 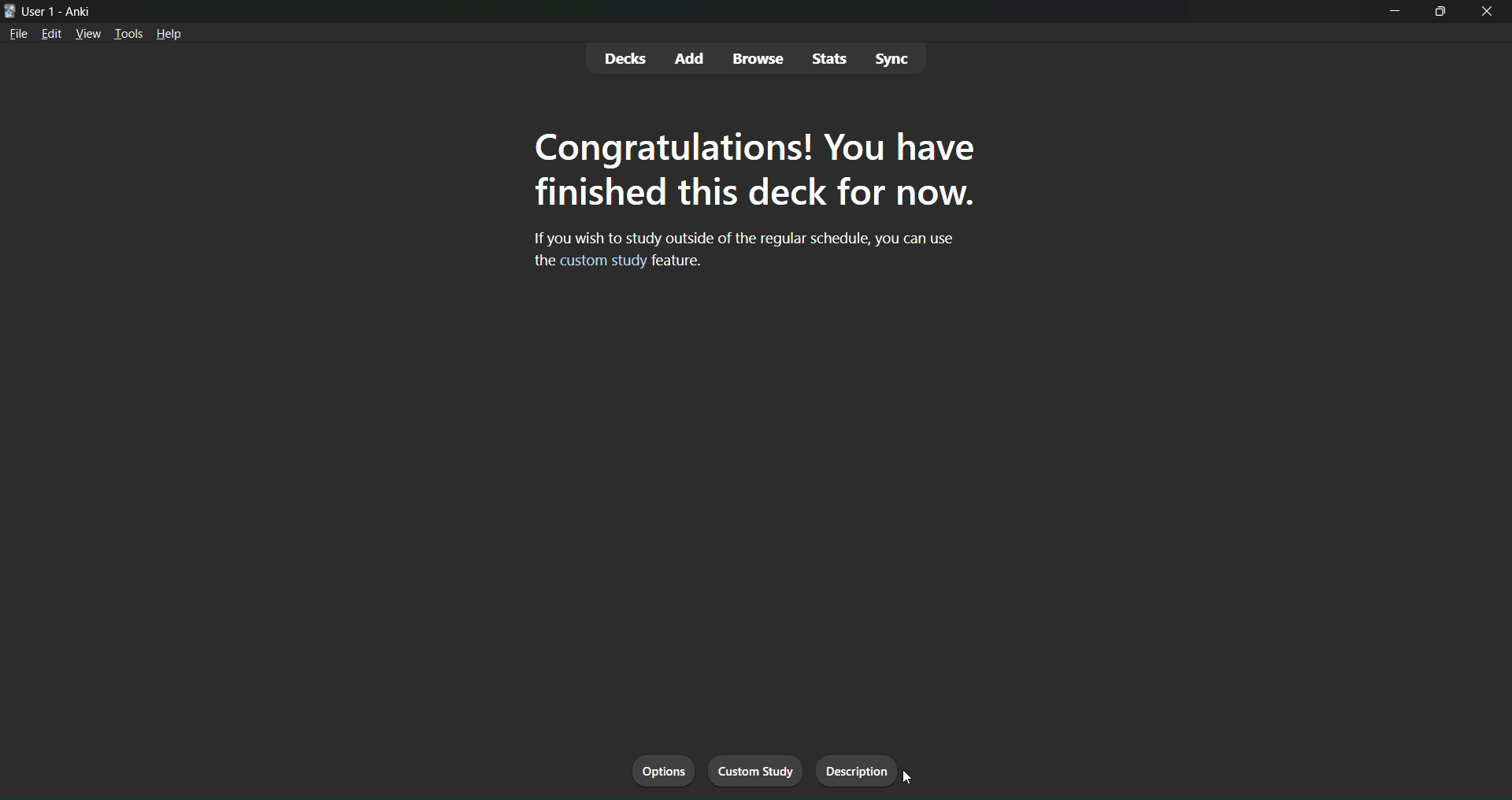 What do you see at coordinates (1397, 17) in the screenshot?
I see `minimize` at bounding box center [1397, 17].